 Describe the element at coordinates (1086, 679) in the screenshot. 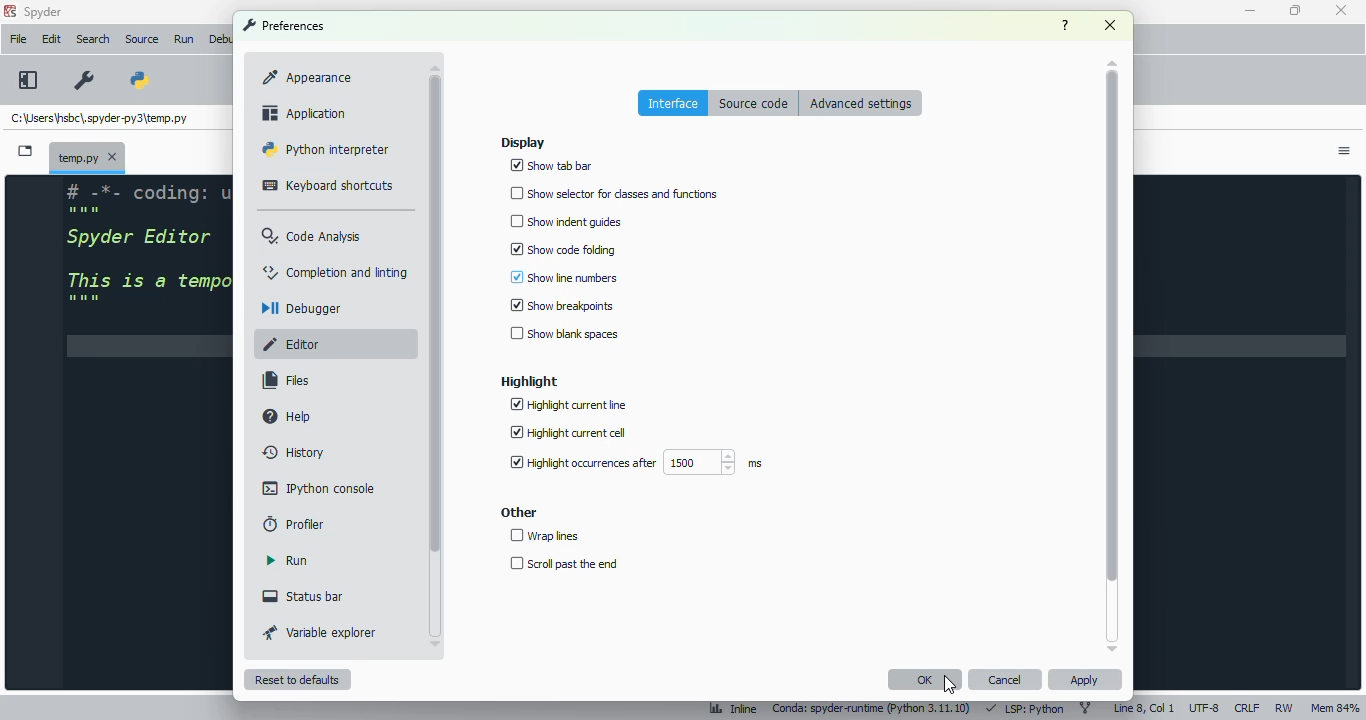

I see `apply` at that location.